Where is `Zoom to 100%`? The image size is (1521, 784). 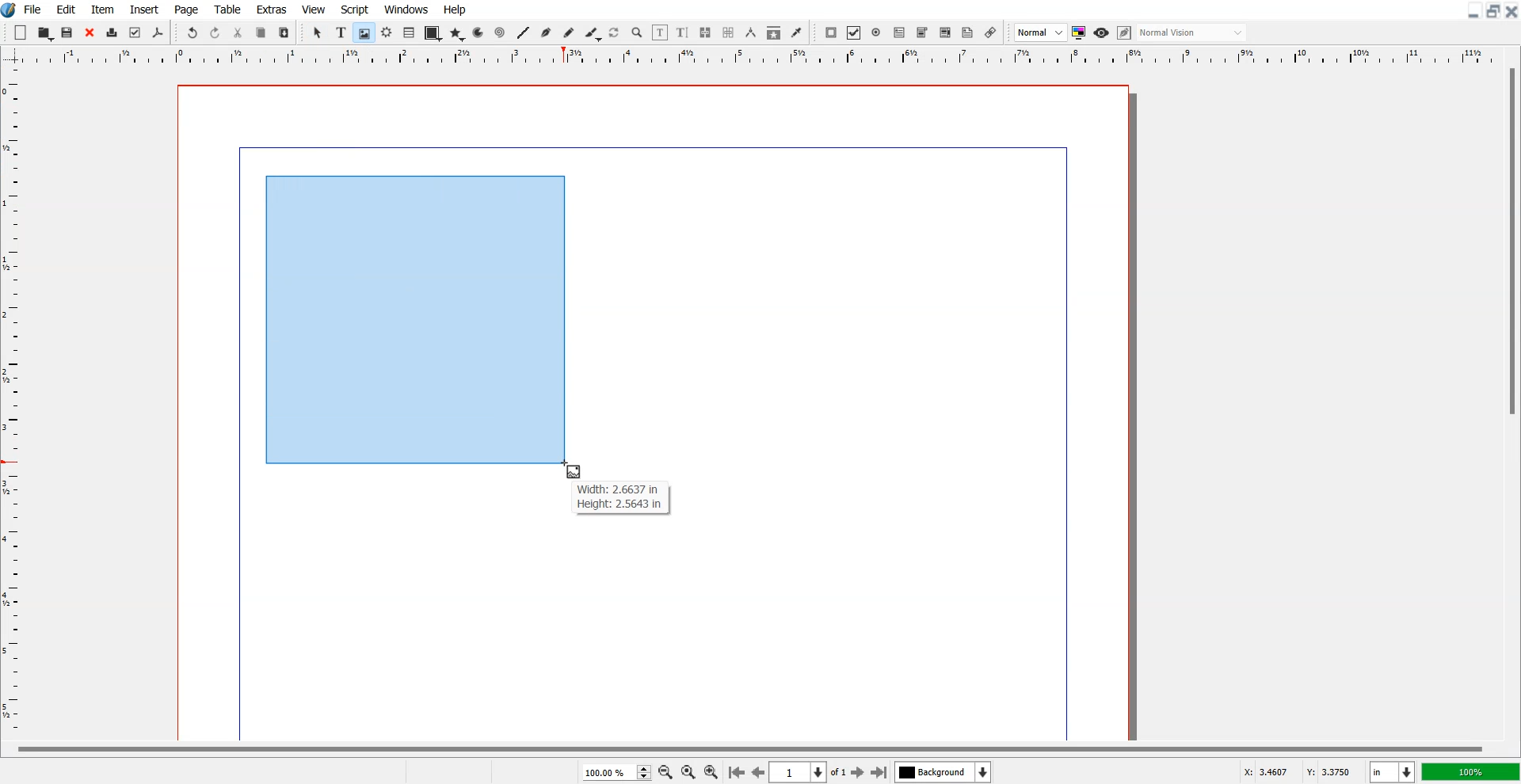 Zoom to 100% is located at coordinates (688, 771).